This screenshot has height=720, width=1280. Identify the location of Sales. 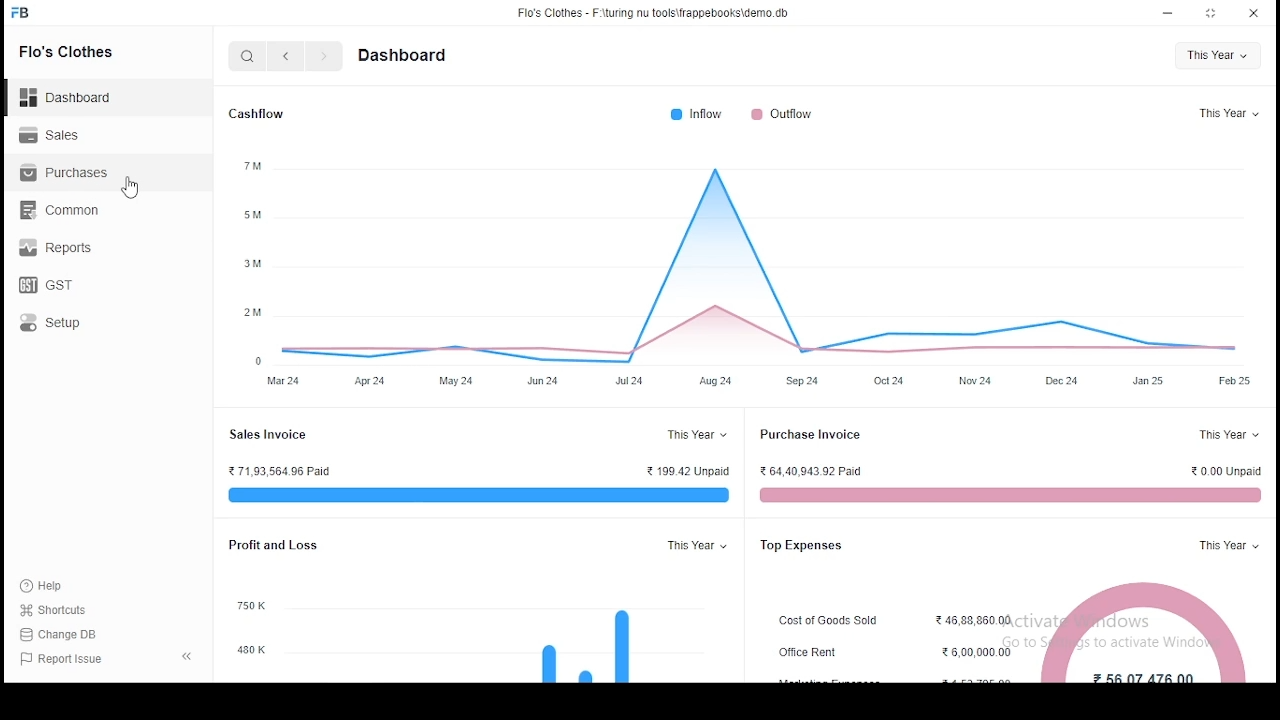
(55, 133).